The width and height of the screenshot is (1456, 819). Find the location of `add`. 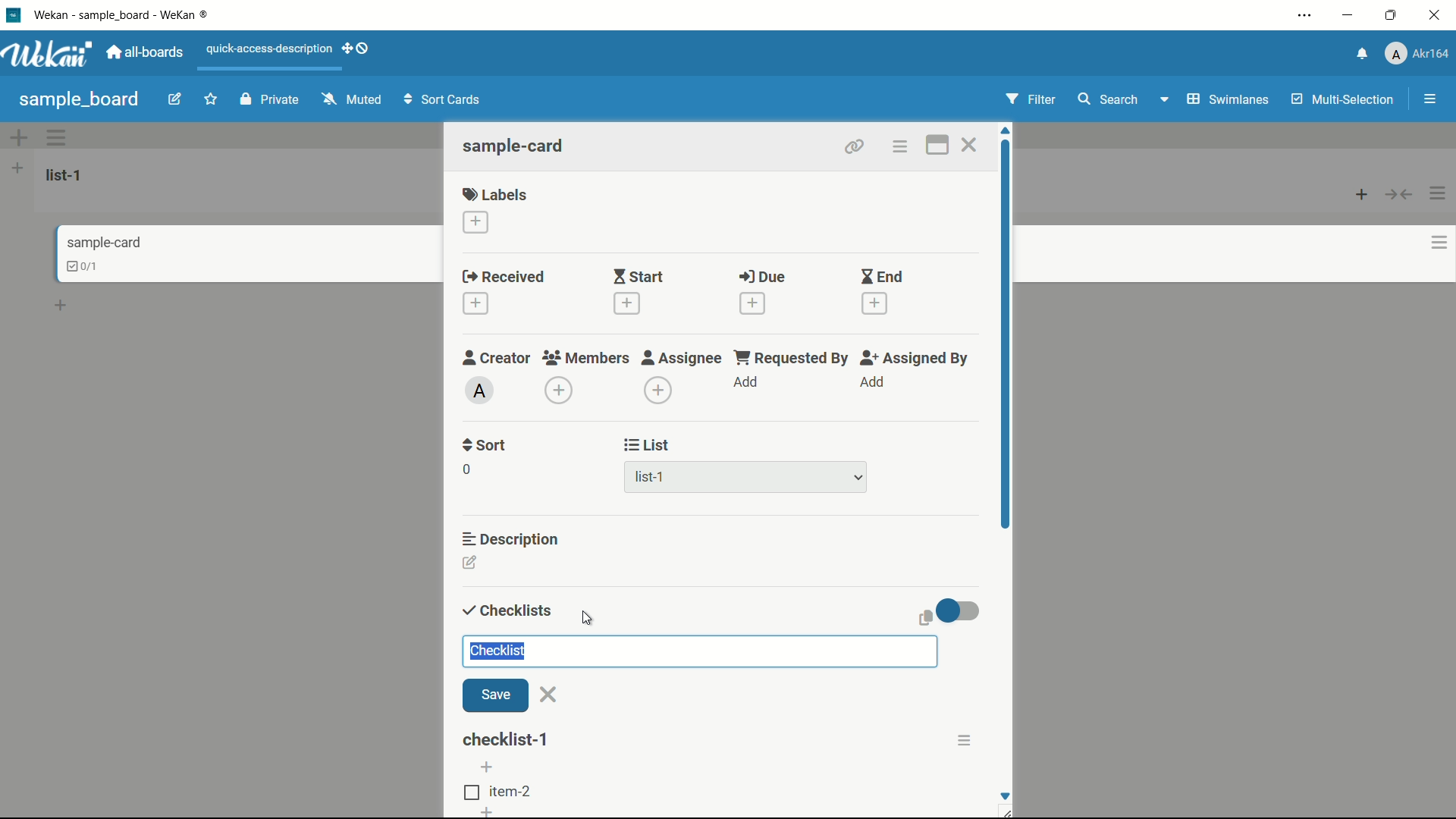

add is located at coordinates (484, 813).